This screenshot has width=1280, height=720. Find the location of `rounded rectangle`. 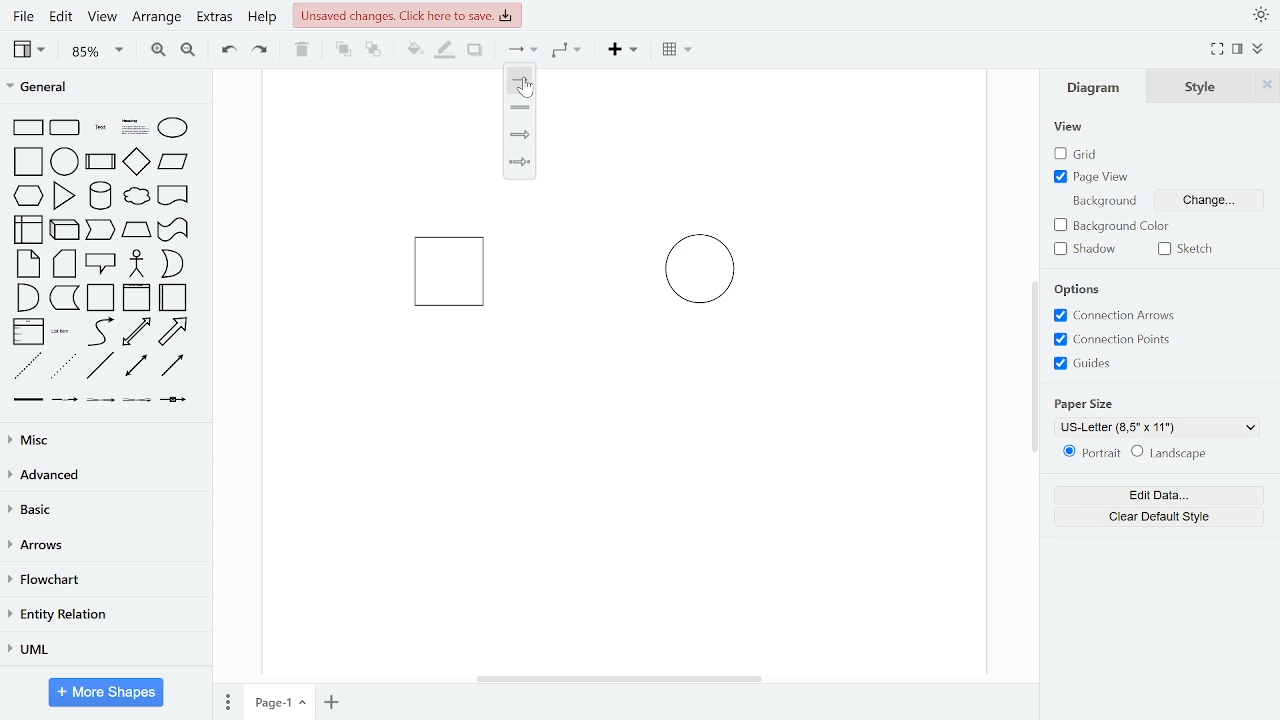

rounded rectangle is located at coordinates (66, 129).